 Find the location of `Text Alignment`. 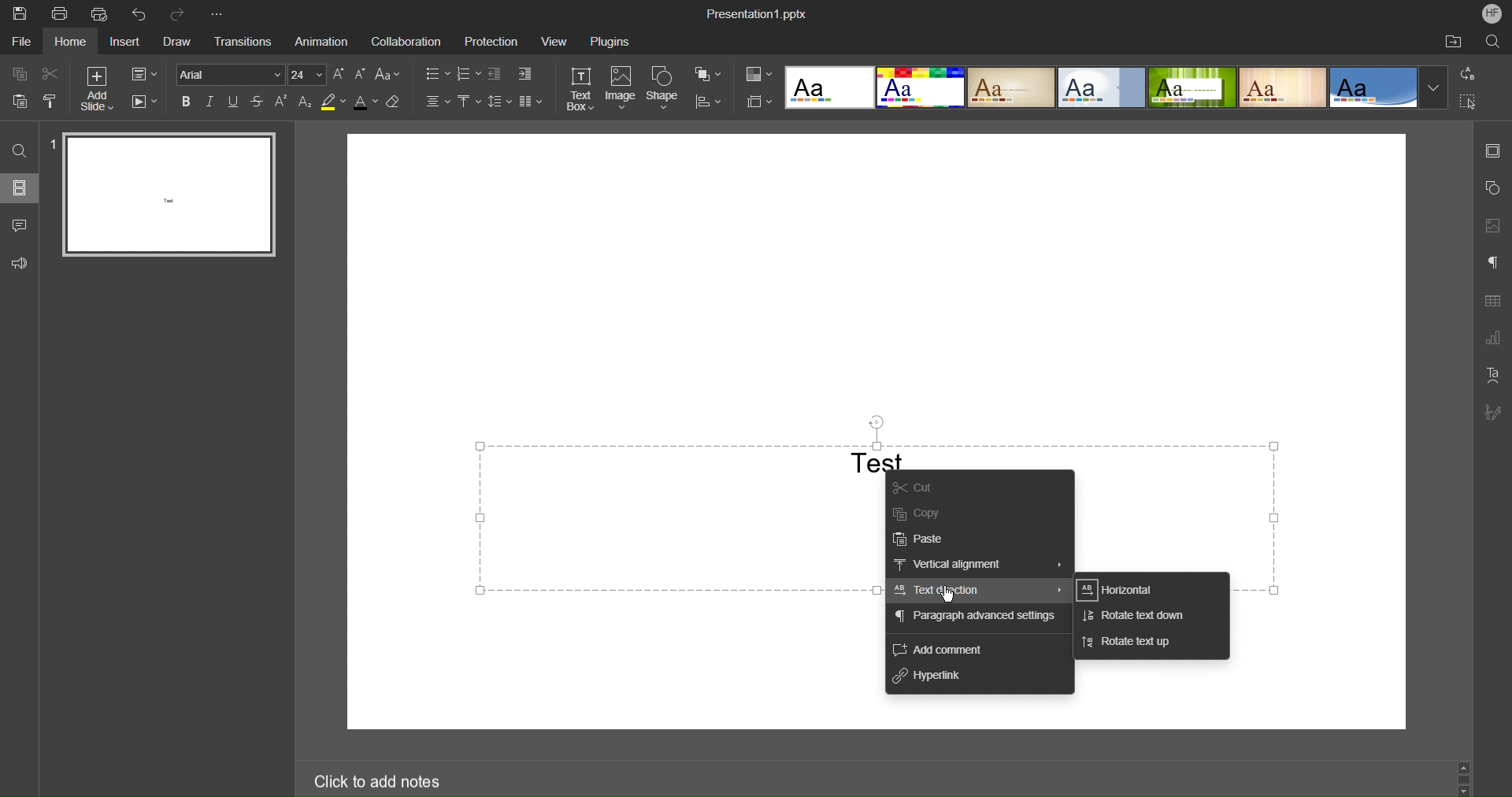

Text Alignment is located at coordinates (436, 102).